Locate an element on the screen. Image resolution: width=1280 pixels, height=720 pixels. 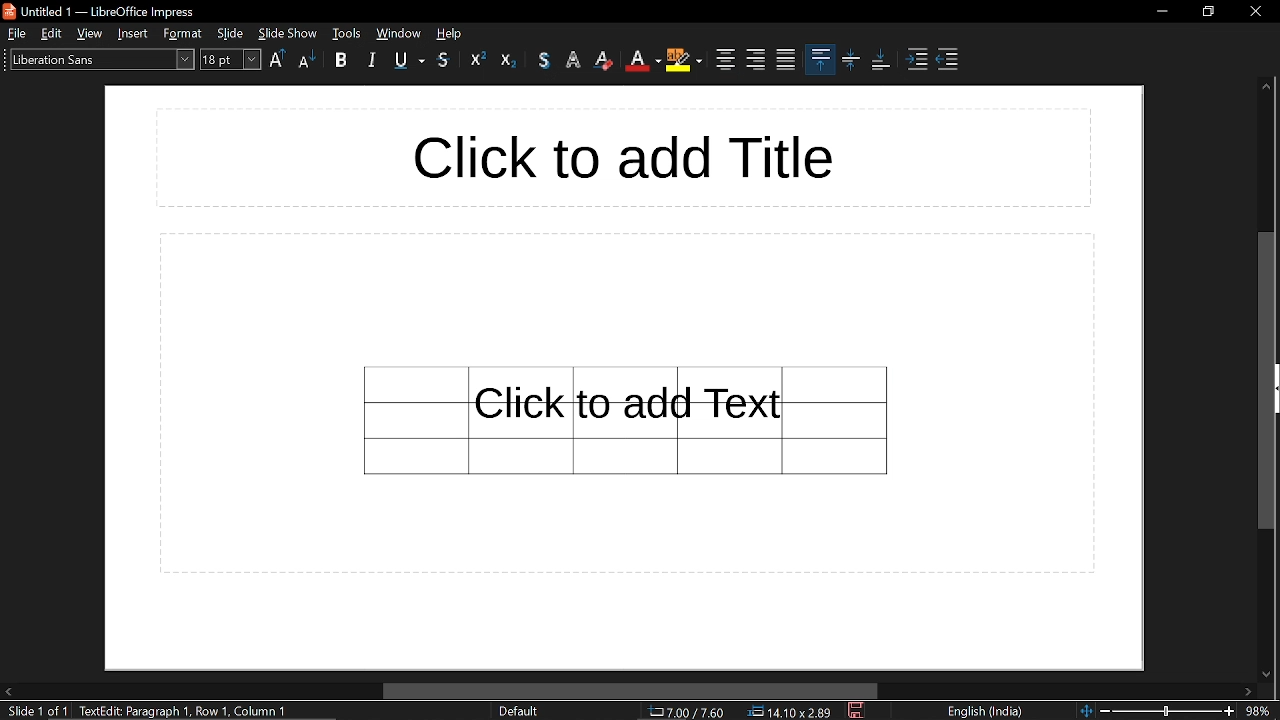
srikethrough is located at coordinates (444, 60).